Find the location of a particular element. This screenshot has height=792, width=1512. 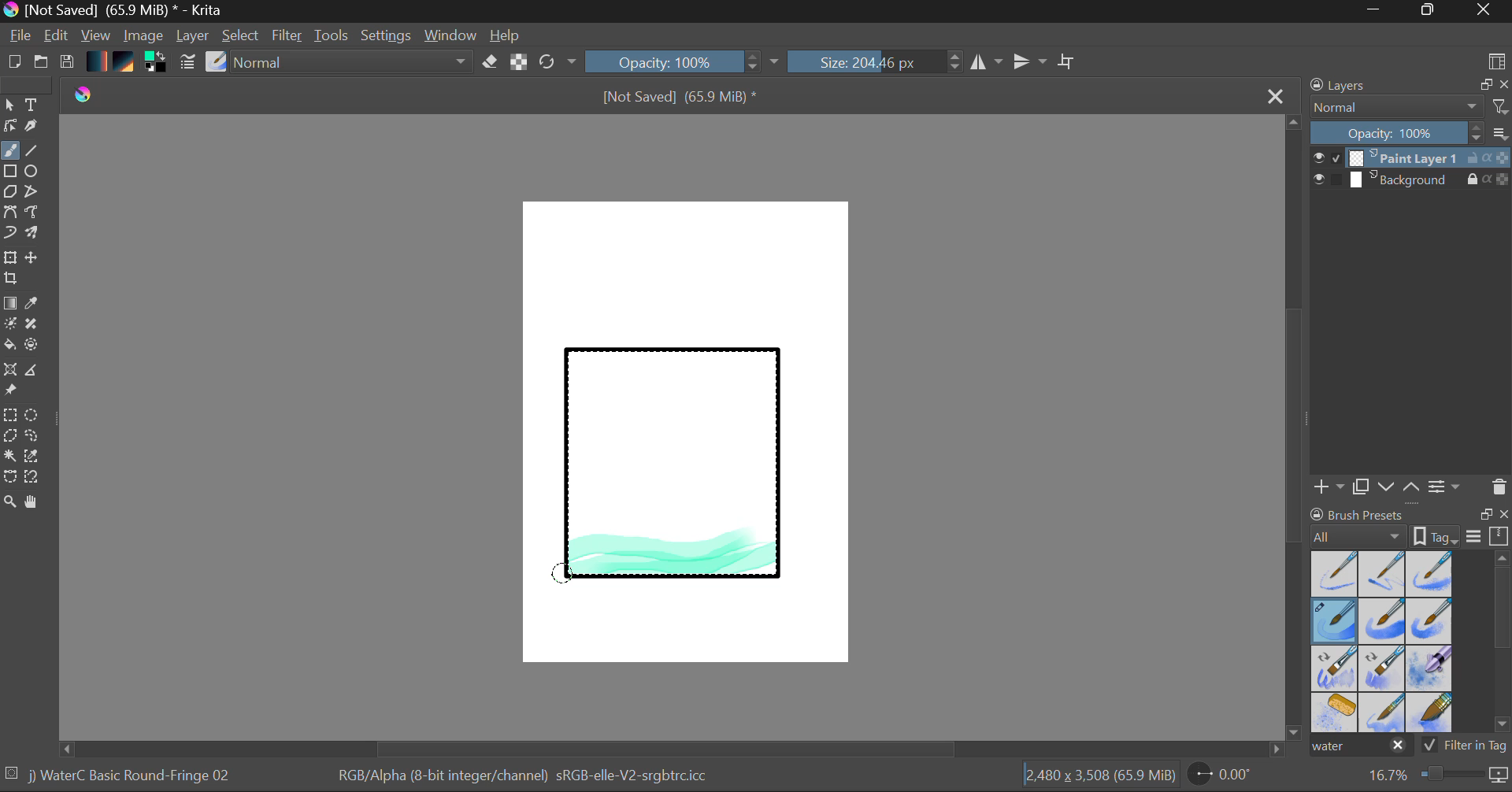

Zoom is located at coordinates (1436, 775).